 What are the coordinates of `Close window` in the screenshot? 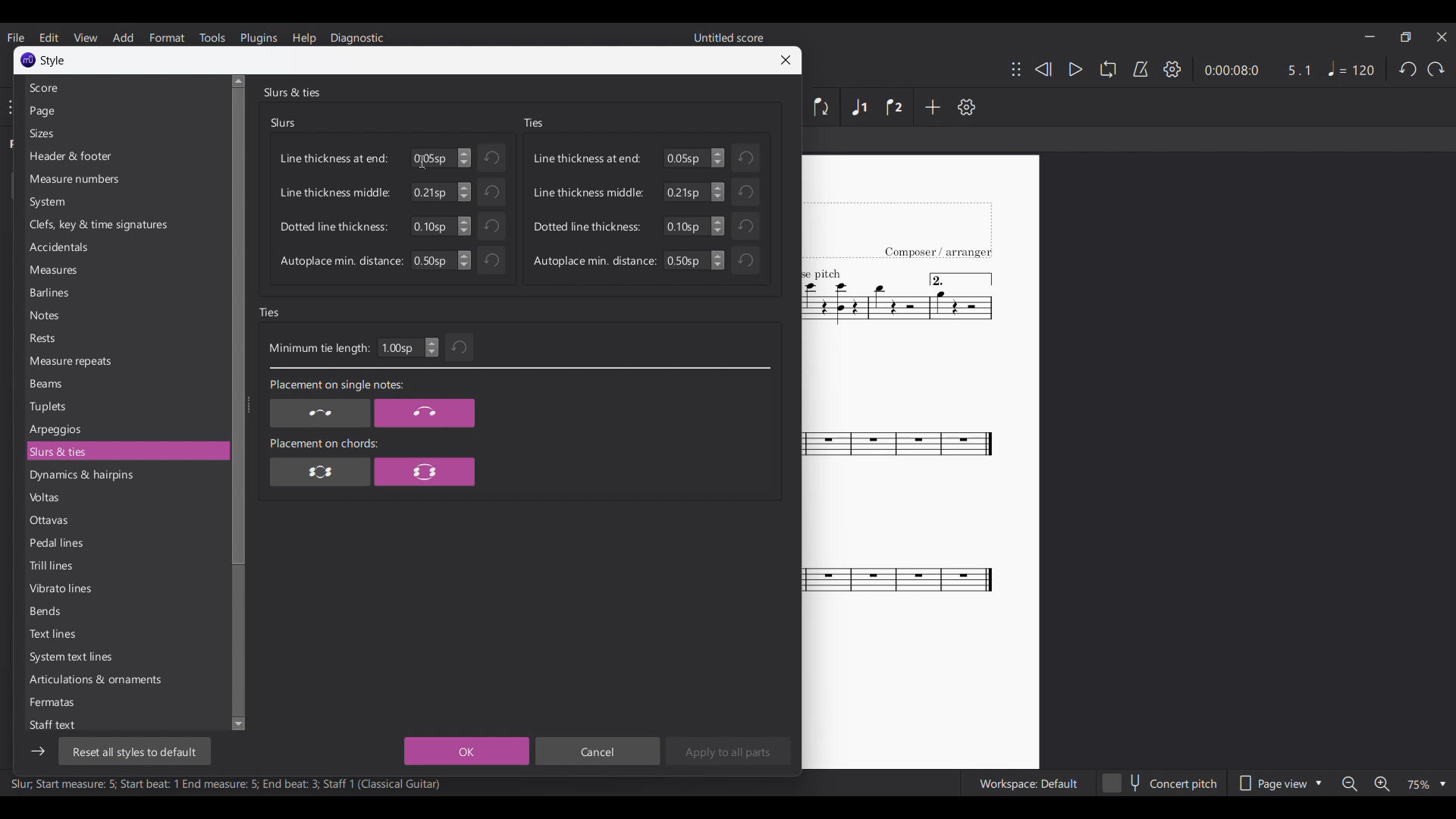 It's located at (786, 60).